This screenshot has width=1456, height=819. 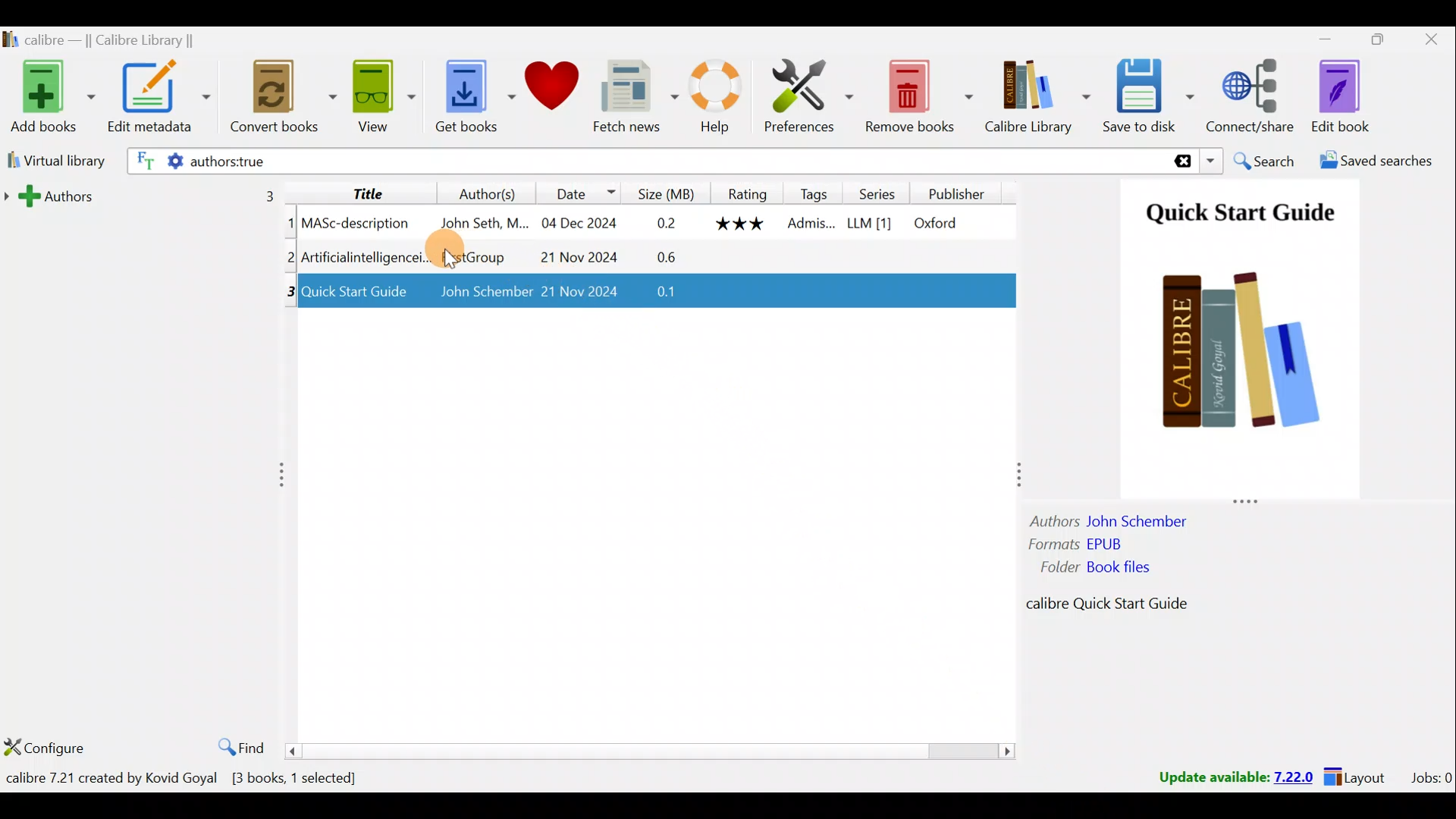 I want to click on Remove books, so click(x=917, y=97).